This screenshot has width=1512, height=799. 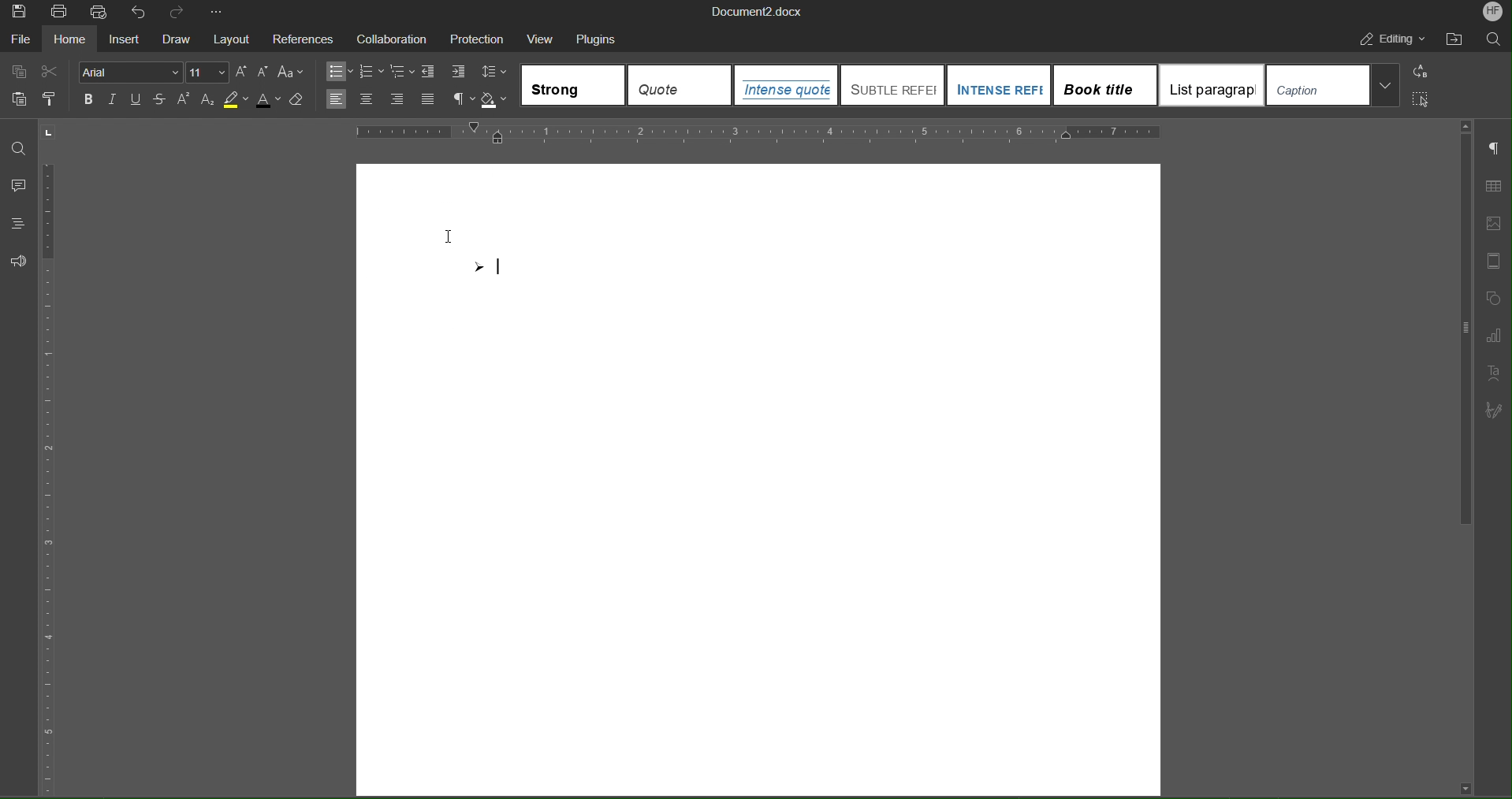 What do you see at coordinates (102, 14) in the screenshot?
I see `Quick Print` at bounding box center [102, 14].